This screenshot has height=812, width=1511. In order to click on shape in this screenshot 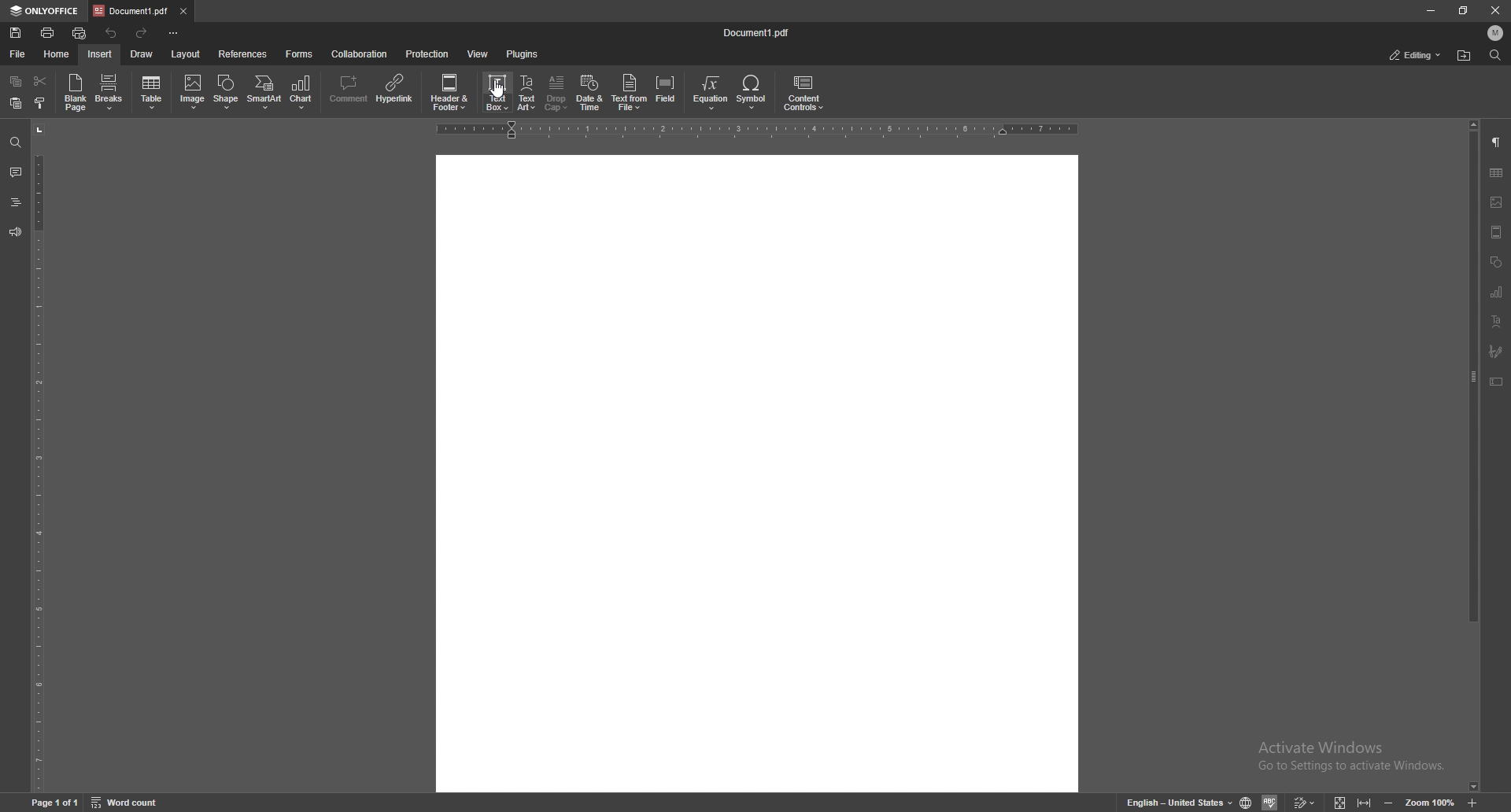, I will do `click(227, 92)`.